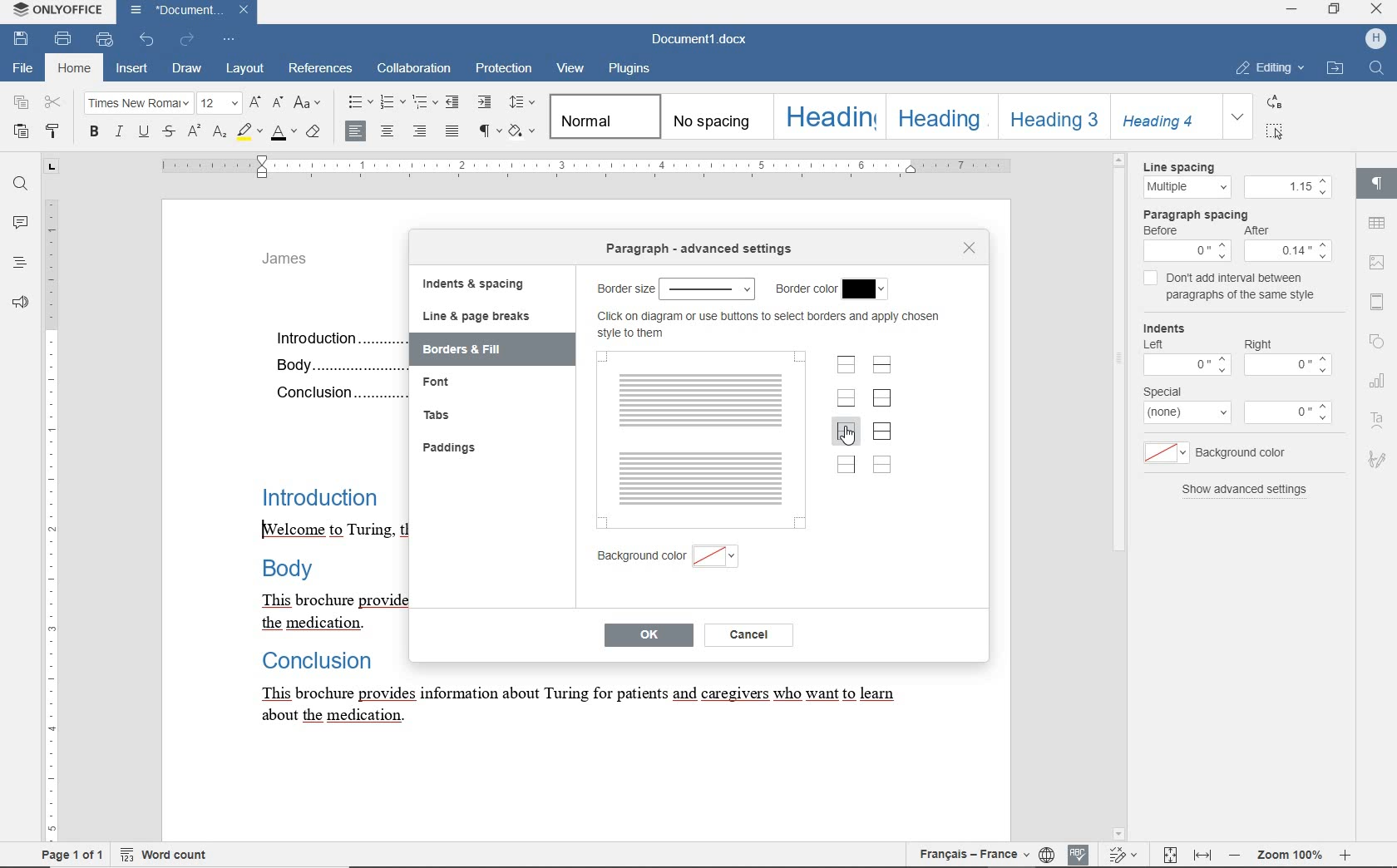  What do you see at coordinates (187, 69) in the screenshot?
I see `draw` at bounding box center [187, 69].